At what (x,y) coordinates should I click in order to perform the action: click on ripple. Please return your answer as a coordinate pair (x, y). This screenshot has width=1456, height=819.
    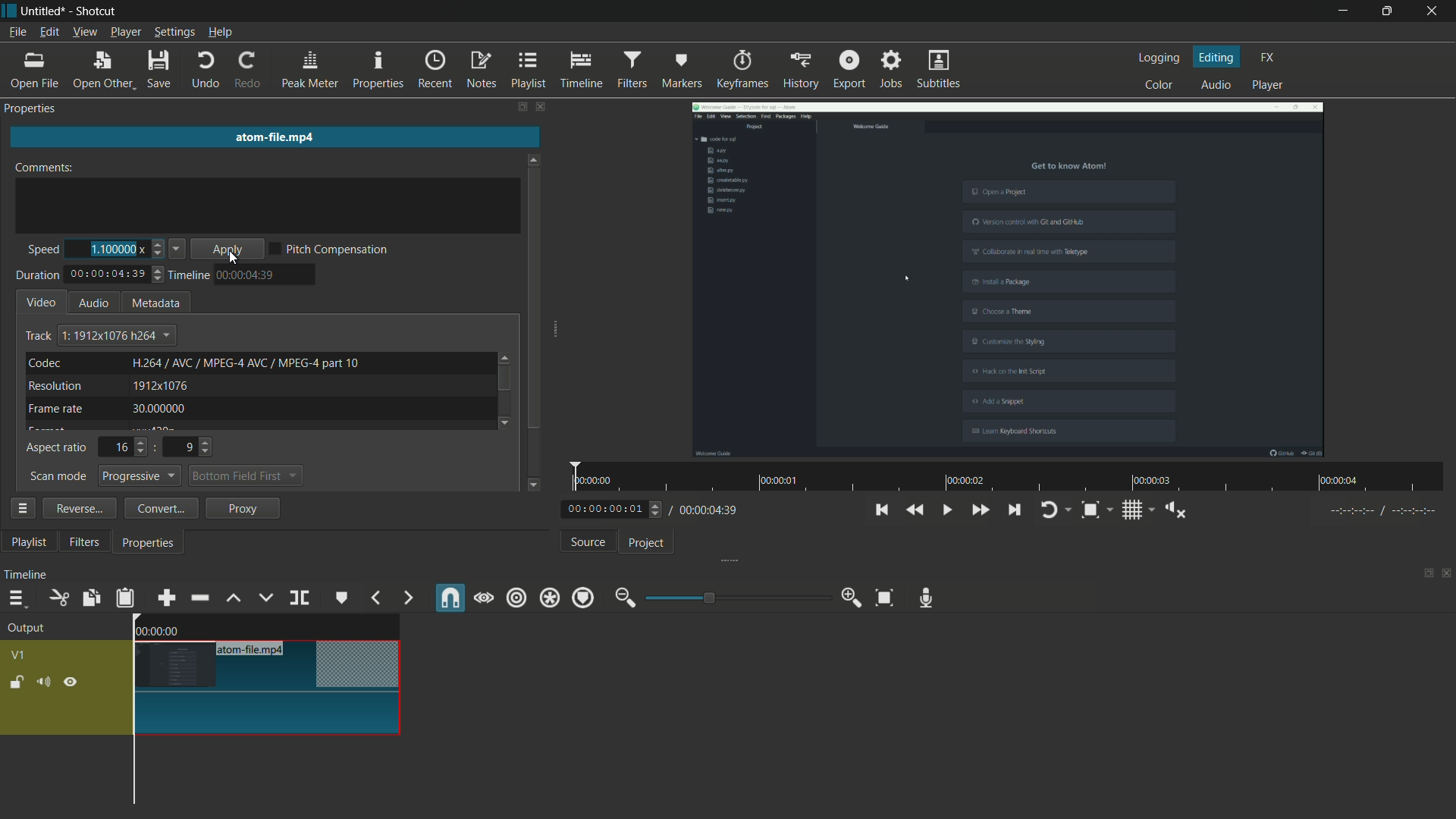
    Looking at the image, I should click on (516, 600).